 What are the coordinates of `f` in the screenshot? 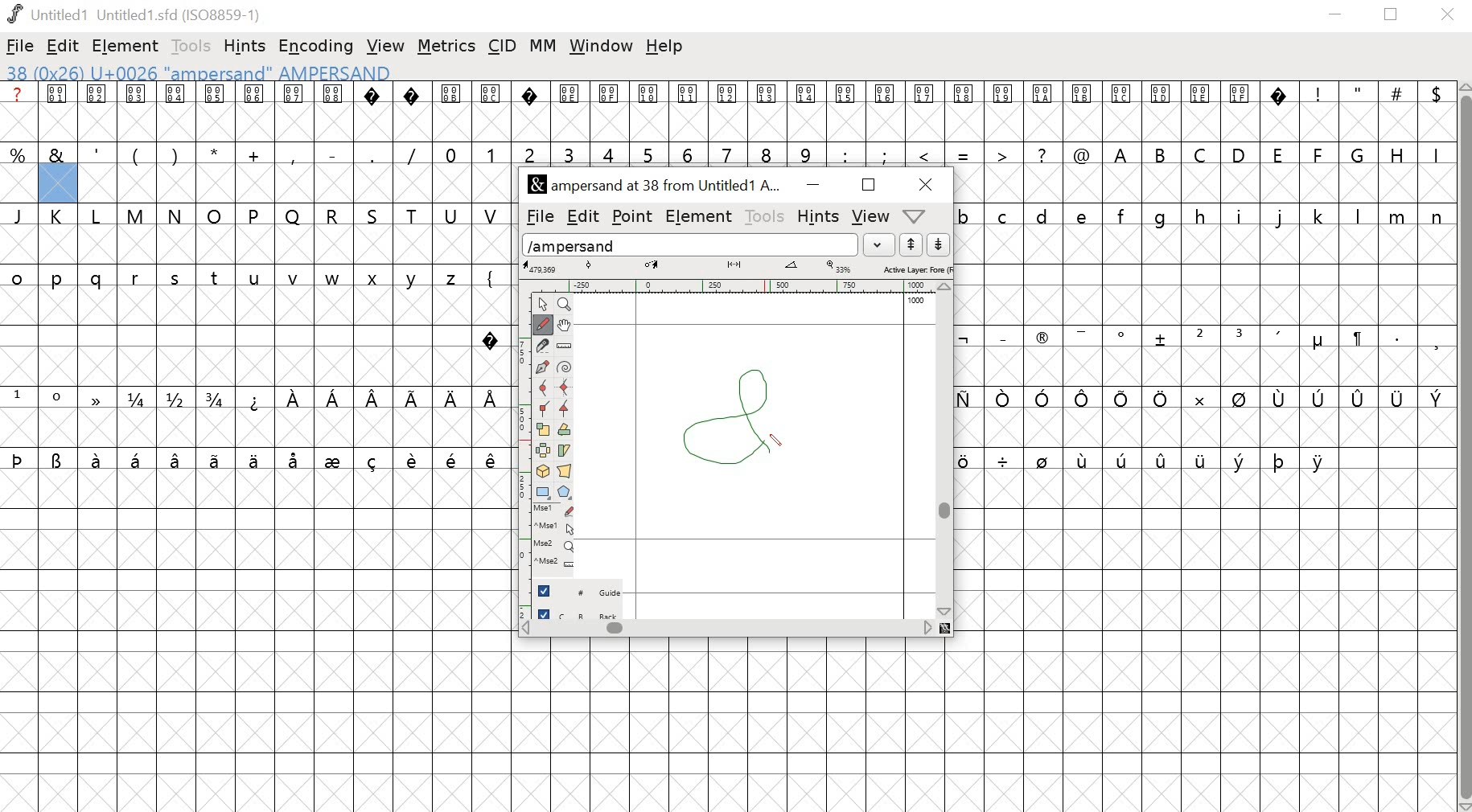 It's located at (1125, 215).